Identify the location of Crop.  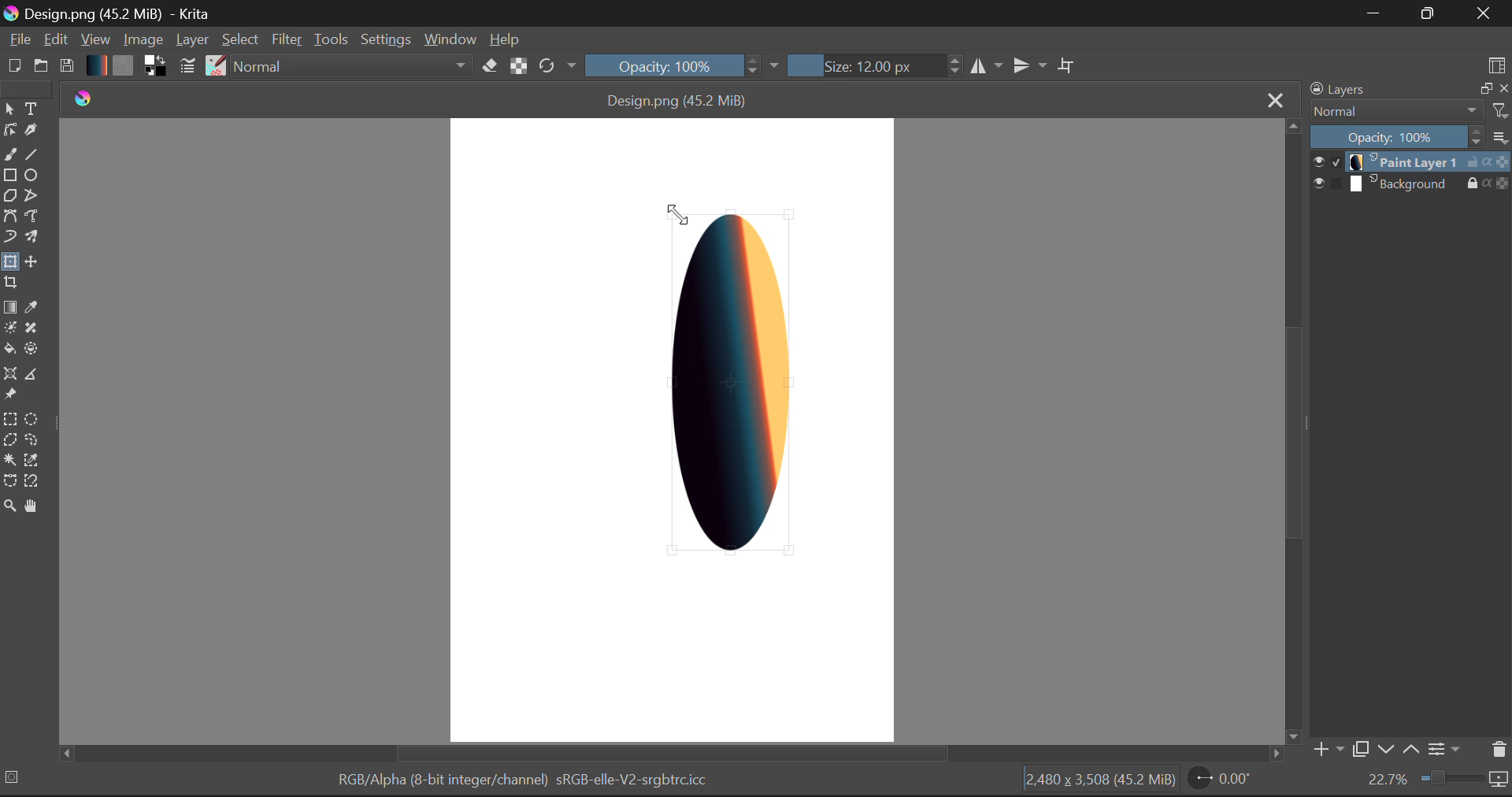
(10, 285).